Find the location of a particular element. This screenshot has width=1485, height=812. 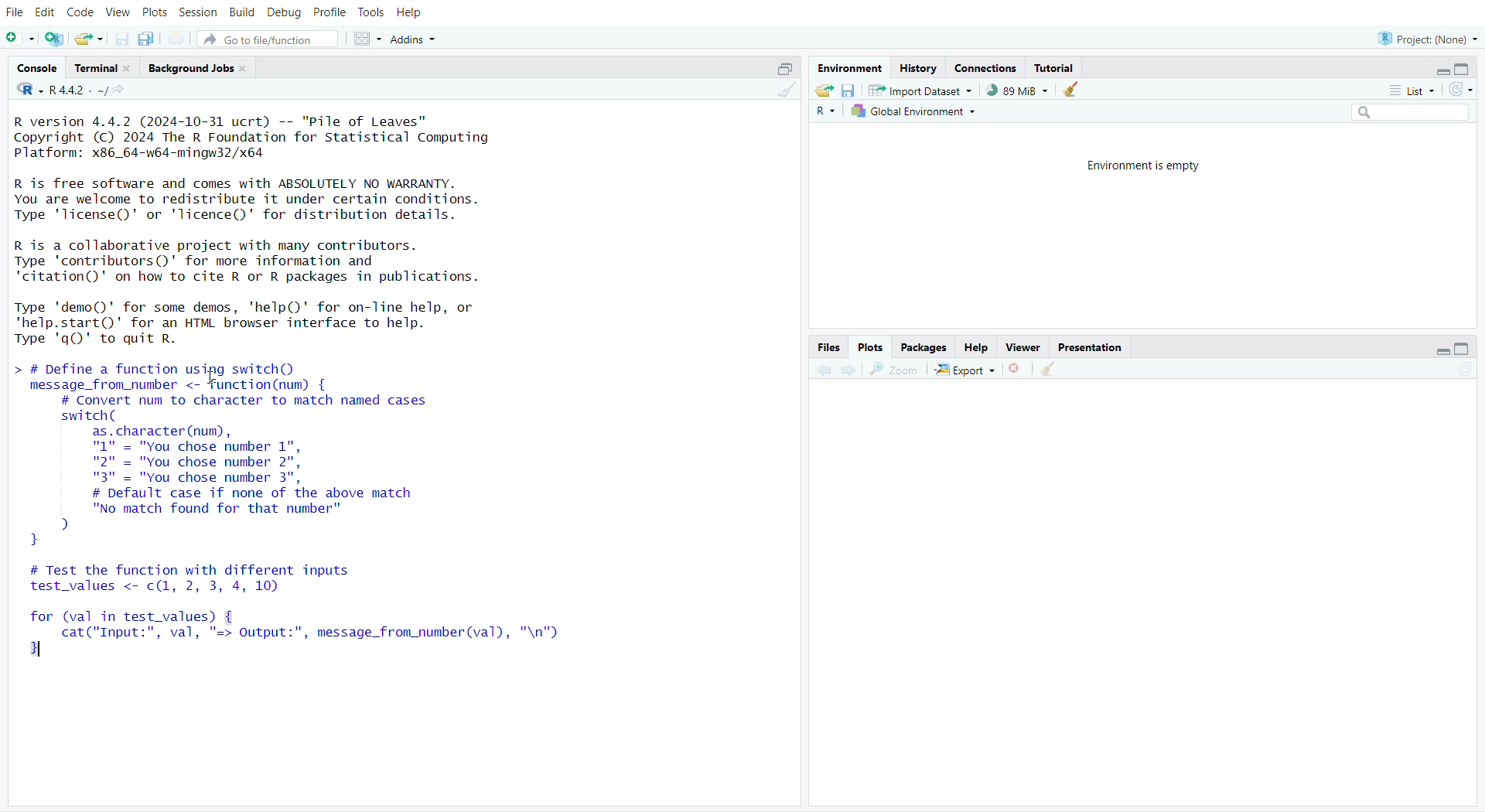

Debug is located at coordinates (284, 12).